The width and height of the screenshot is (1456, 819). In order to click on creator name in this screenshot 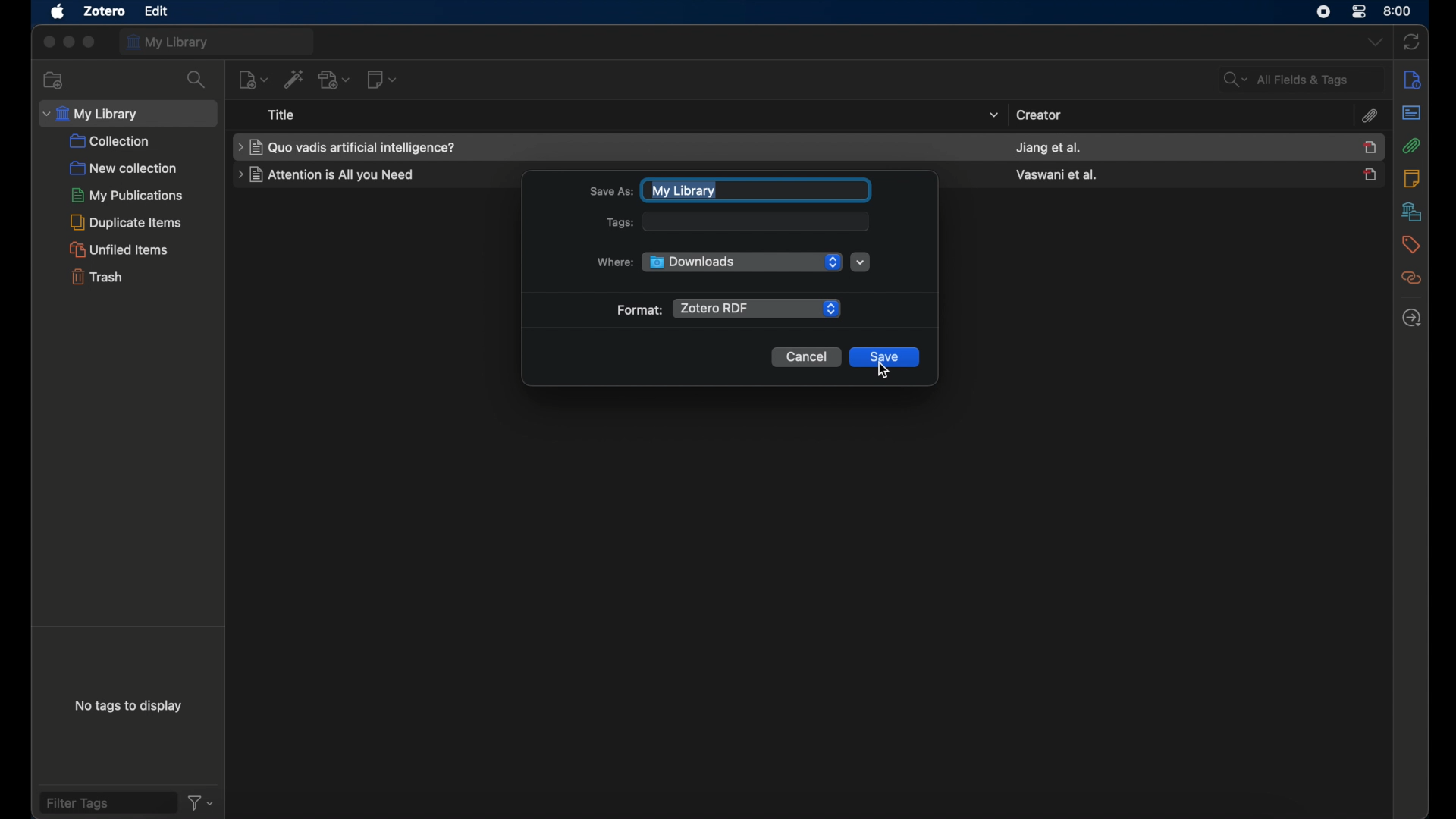, I will do `click(1057, 174)`.